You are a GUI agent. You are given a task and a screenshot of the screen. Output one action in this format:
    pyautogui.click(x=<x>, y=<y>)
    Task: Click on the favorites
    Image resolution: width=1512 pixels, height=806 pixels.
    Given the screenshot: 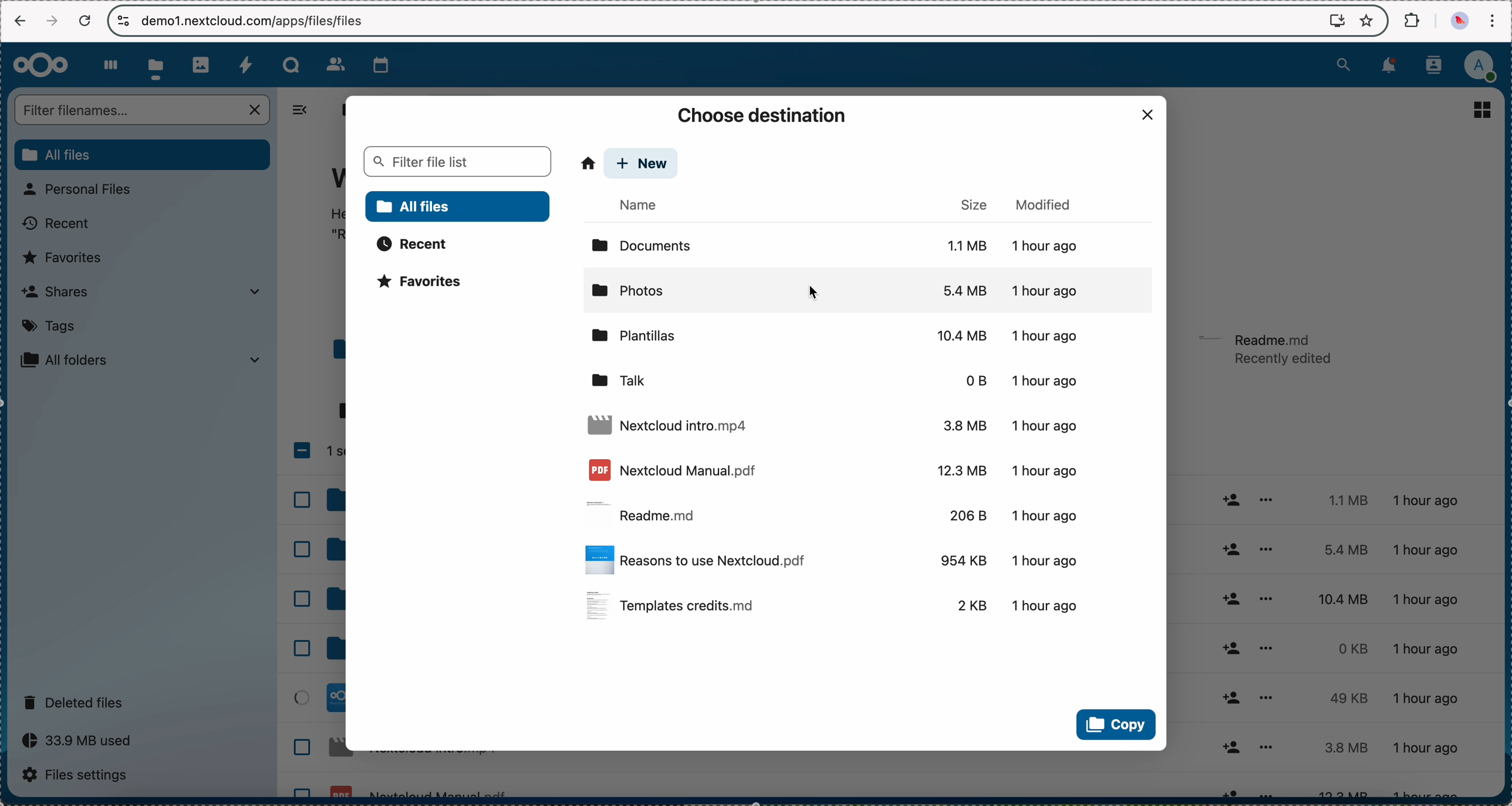 What is the action you would take?
    pyautogui.click(x=426, y=285)
    